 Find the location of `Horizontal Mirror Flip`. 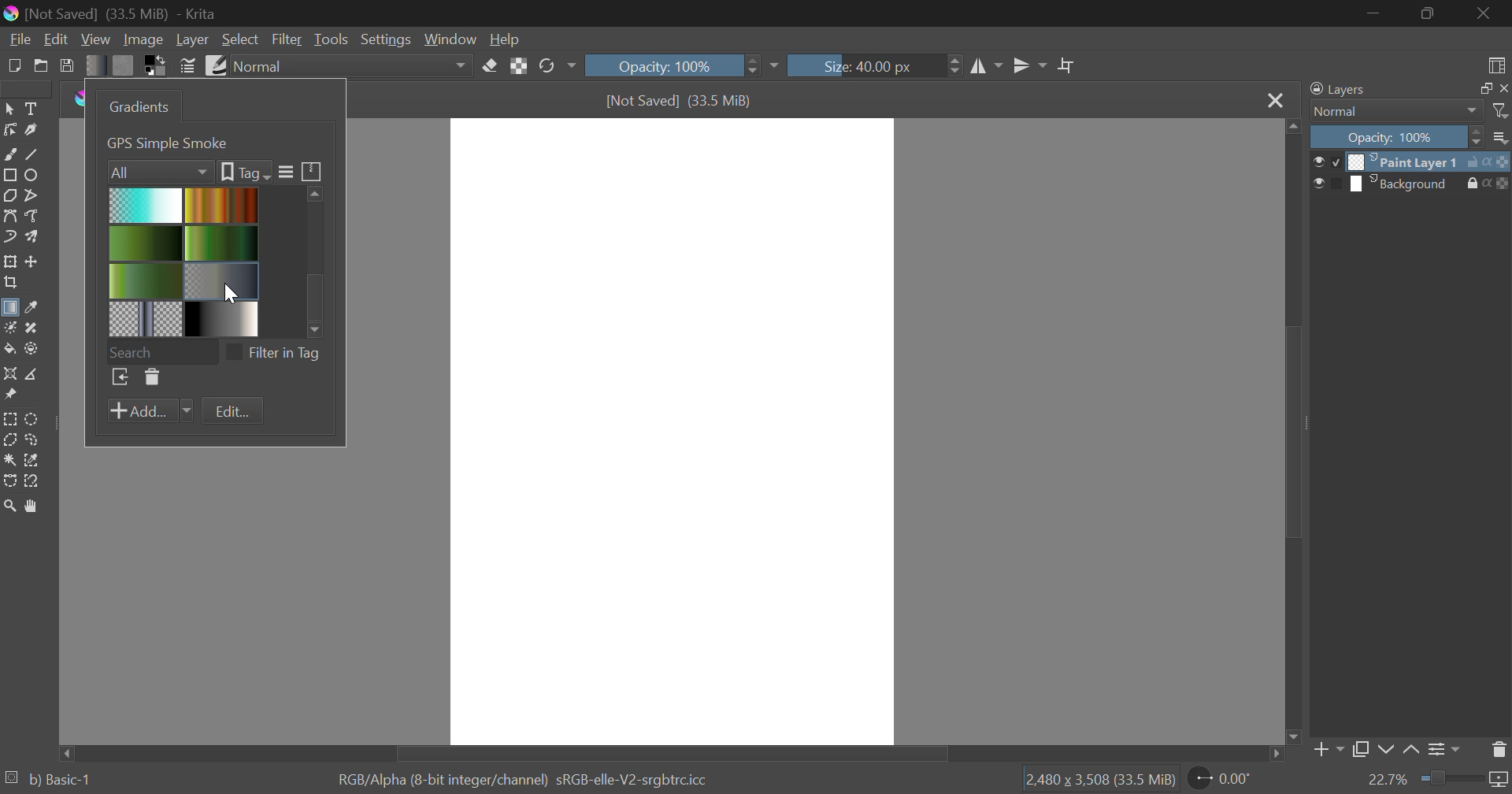

Horizontal Mirror Flip is located at coordinates (1026, 68).